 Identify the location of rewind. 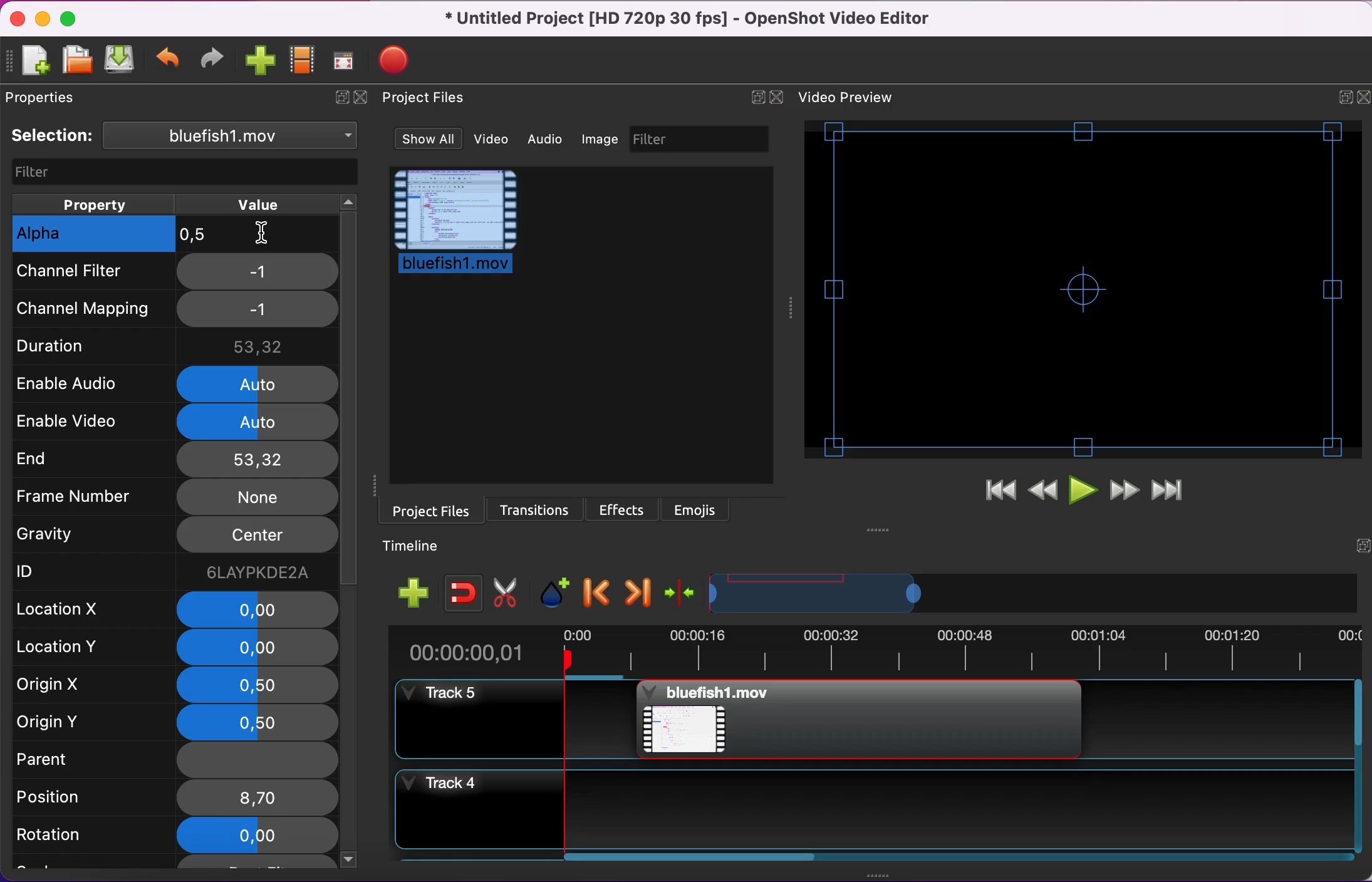
(1044, 490).